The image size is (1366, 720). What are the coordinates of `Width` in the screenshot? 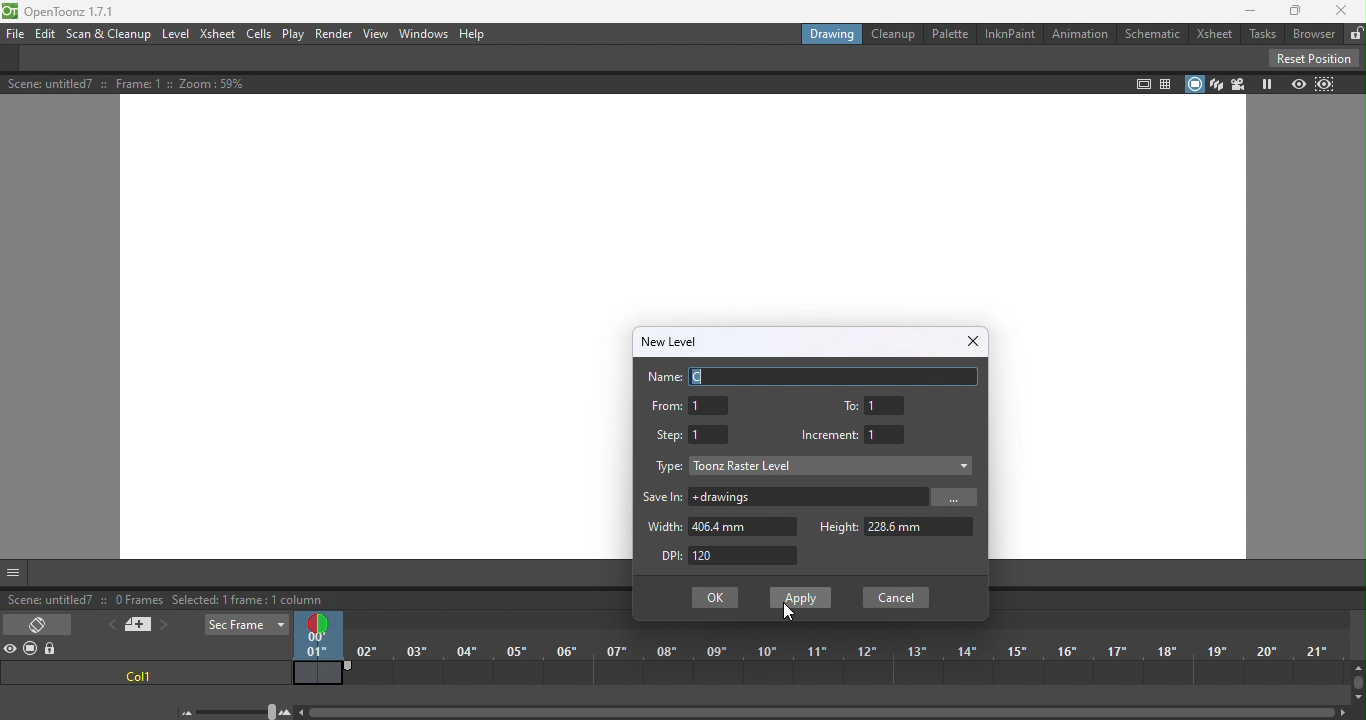 It's located at (719, 527).